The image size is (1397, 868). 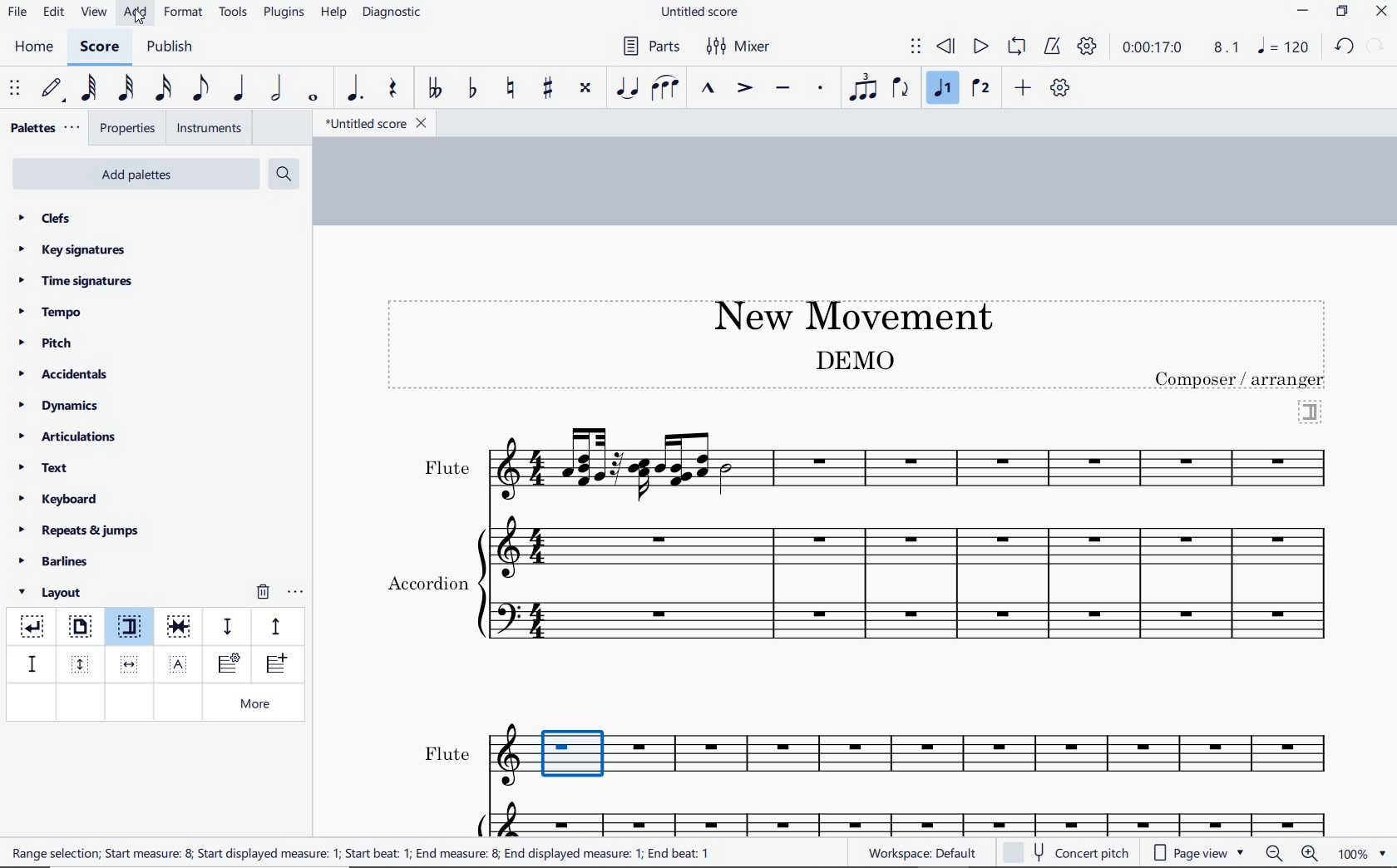 What do you see at coordinates (918, 757) in the screenshot?
I see `FL` at bounding box center [918, 757].